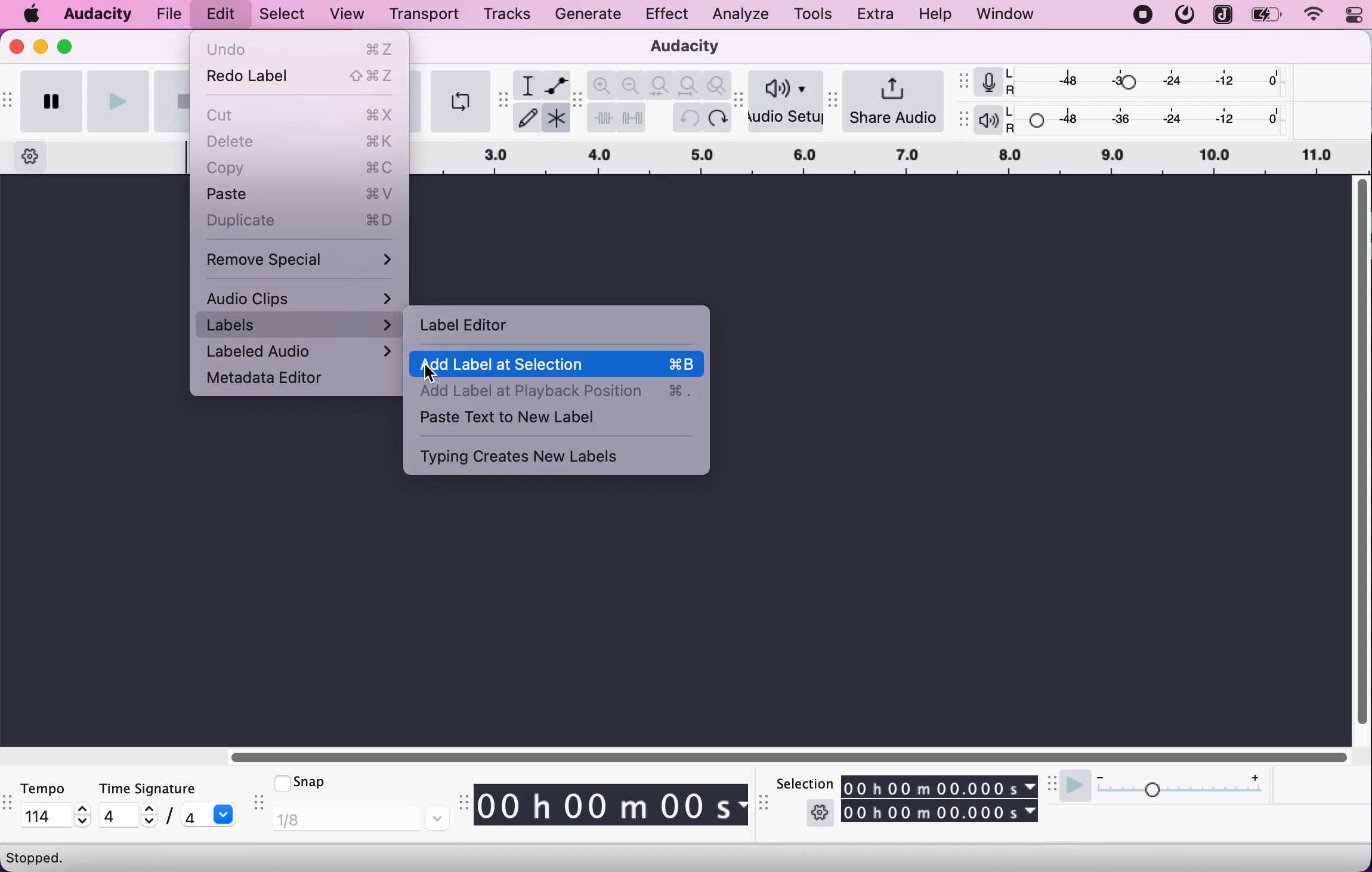  What do you see at coordinates (780, 757) in the screenshot?
I see `horizontal slider` at bounding box center [780, 757].